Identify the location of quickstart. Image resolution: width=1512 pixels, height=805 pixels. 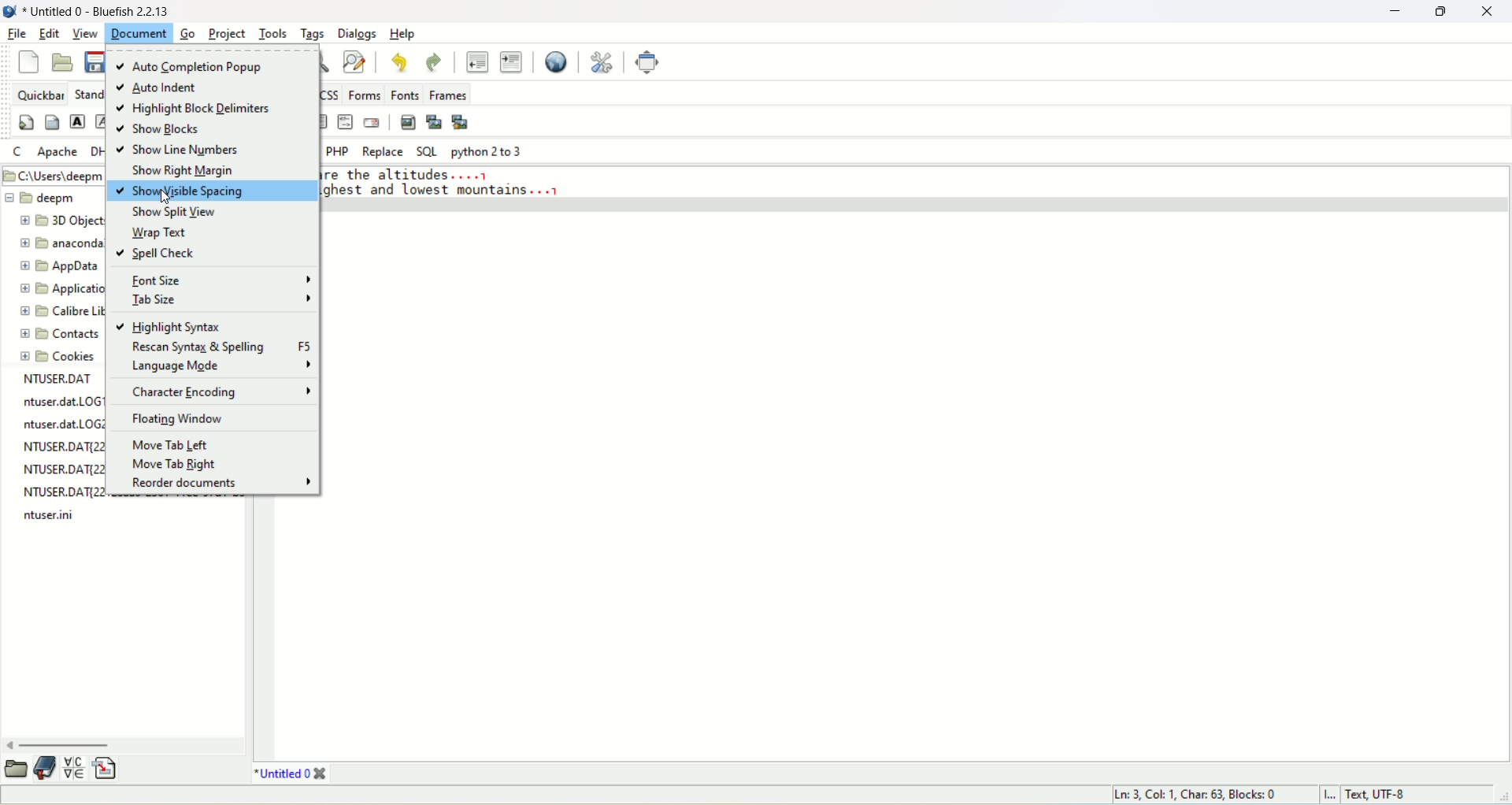
(25, 121).